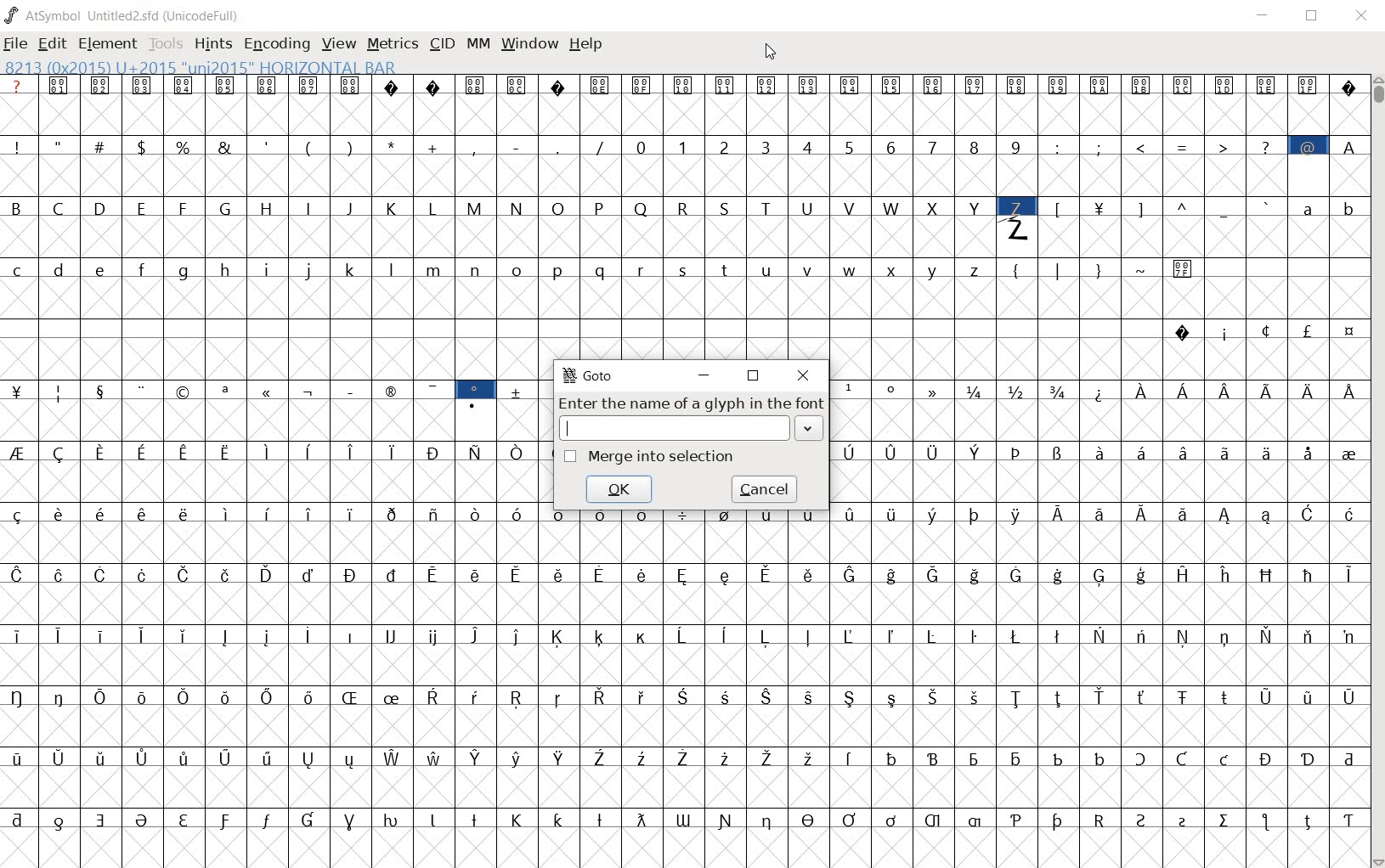 This screenshot has width=1385, height=868. Describe the element at coordinates (215, 44) in the screenshot. I see `HINTS` at that location.